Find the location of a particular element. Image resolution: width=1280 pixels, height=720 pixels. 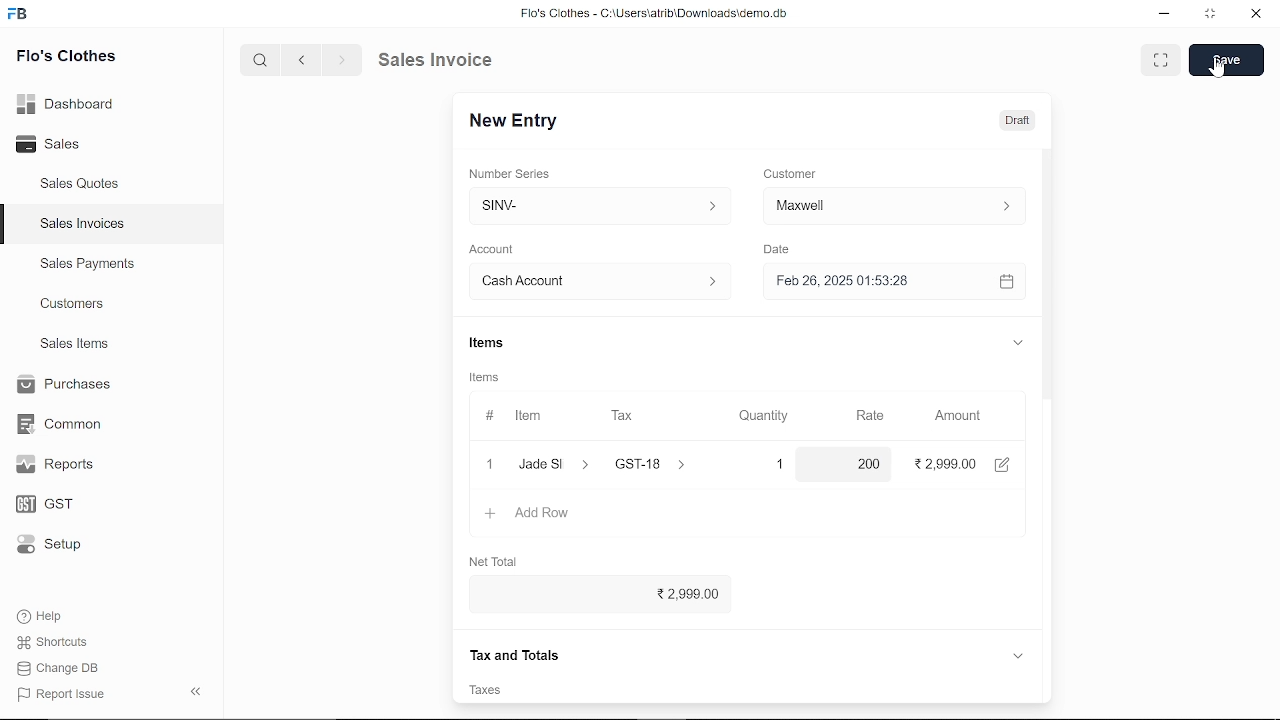

Account is located at coordinates (497, 250).